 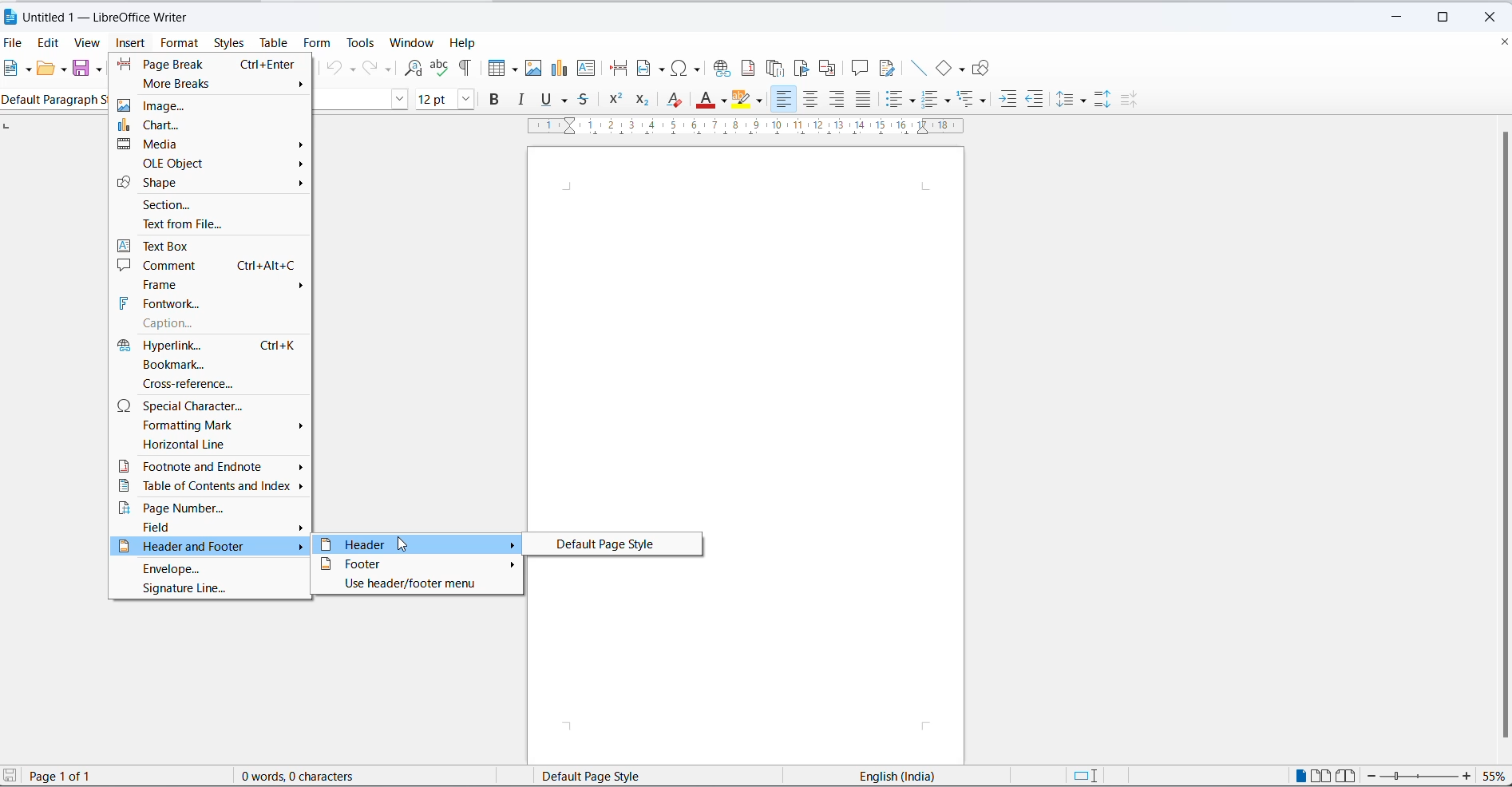 What do you see at coordinates (524, 100) in the screenshot?
I see `italic` at bounding box center [524, 100].